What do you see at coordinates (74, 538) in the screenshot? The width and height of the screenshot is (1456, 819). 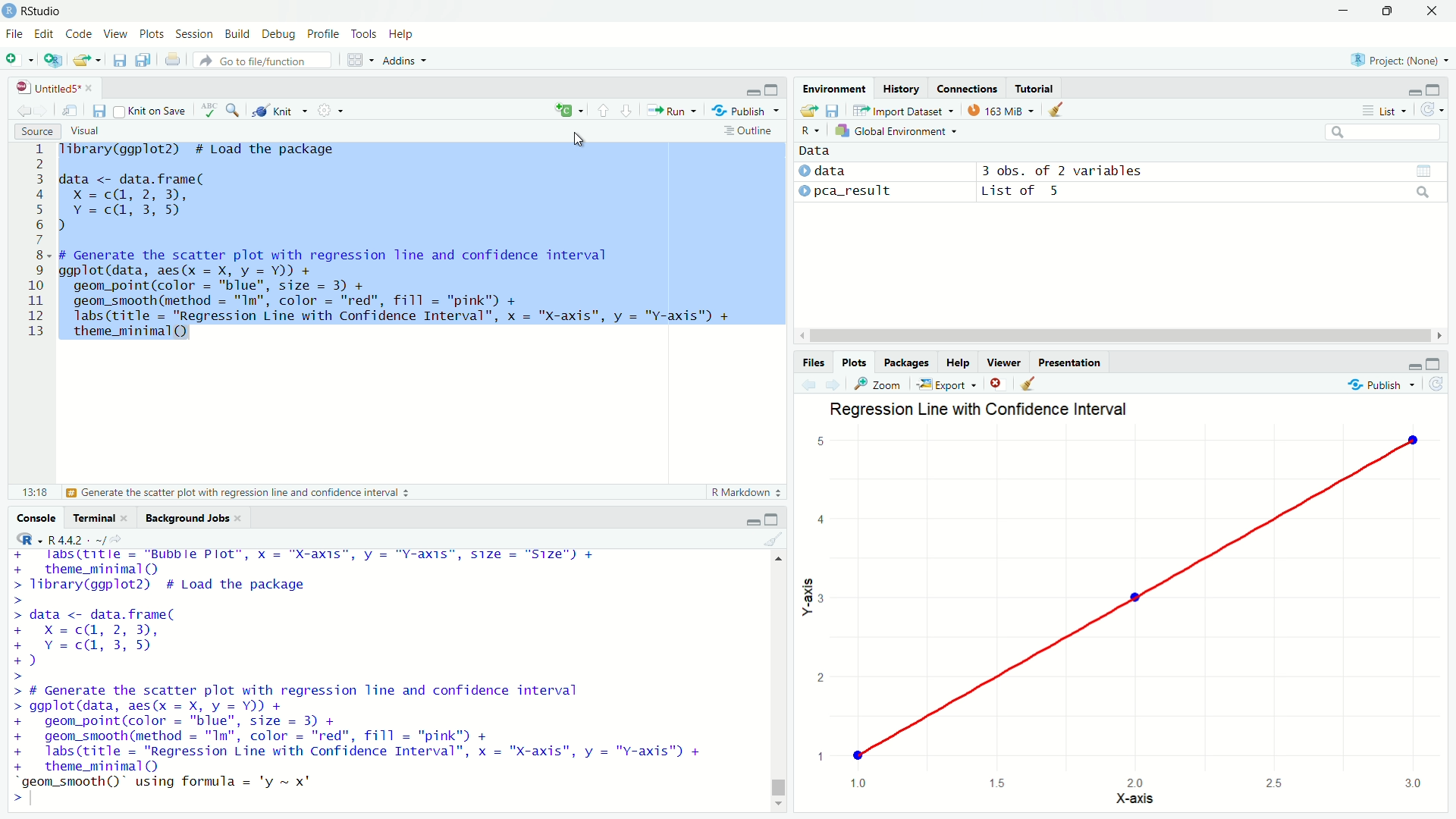 I see `R4.4.2. ~` at bounding box center [74, 538].